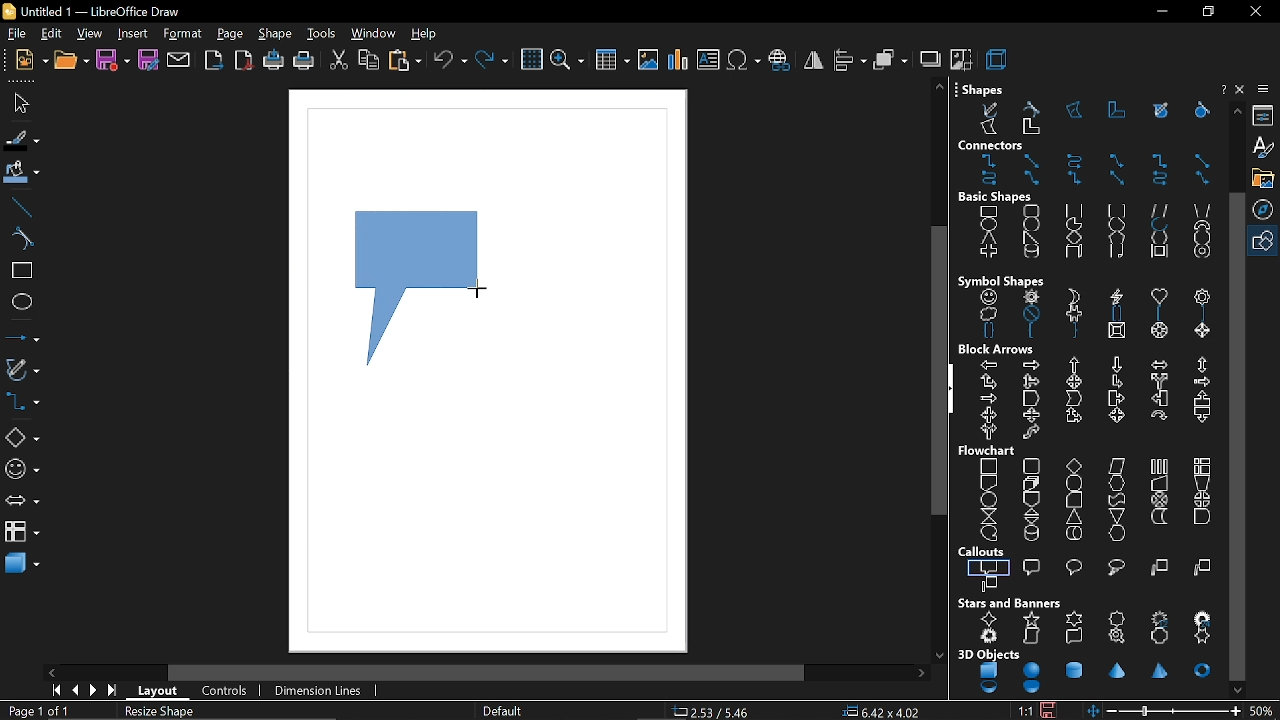 Image resolution: width=1280 pixels, height=720 pixels. I want to click on connector ends with arrow, so click(990, 161).